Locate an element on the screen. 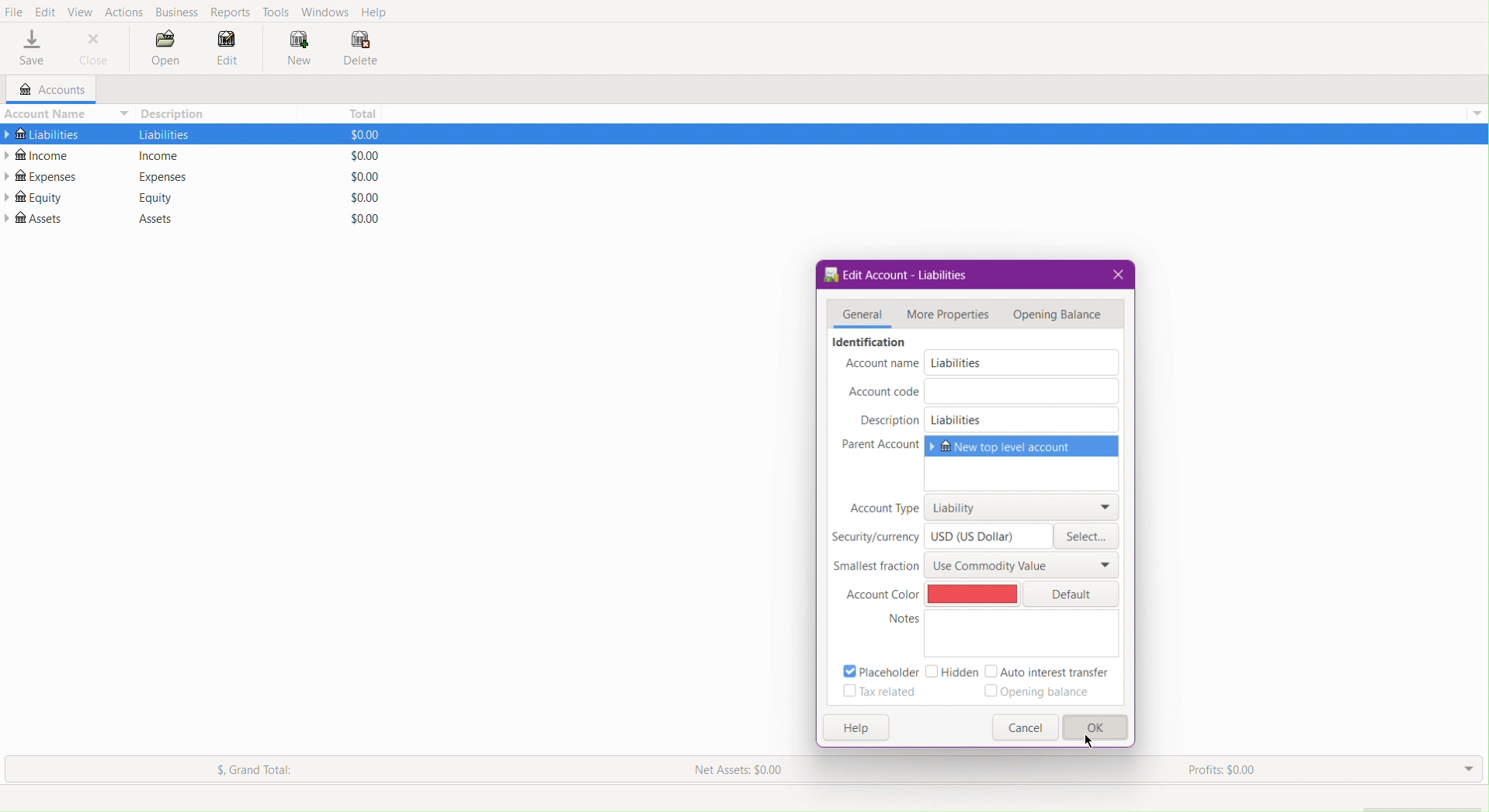 The height and width of the screenshot is (812, 1489). Save is located at coordinates (32, 49).